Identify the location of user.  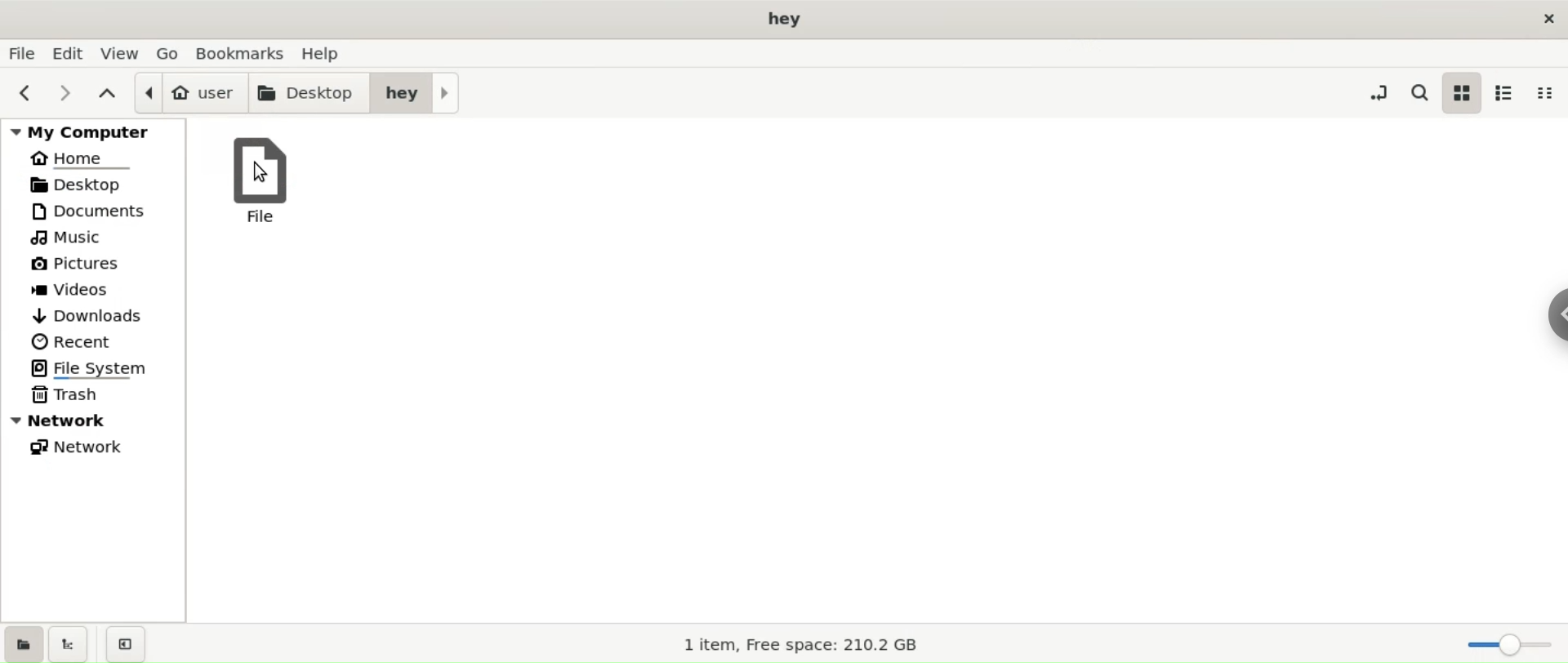
(189, 91).